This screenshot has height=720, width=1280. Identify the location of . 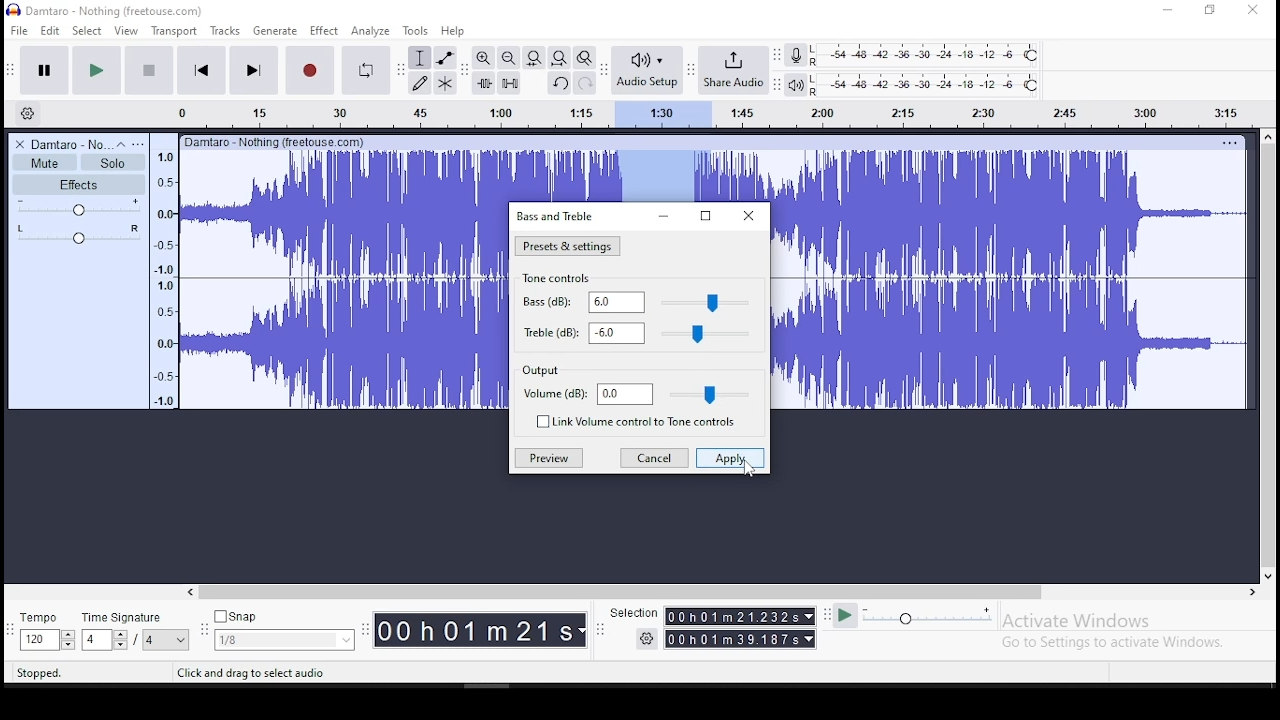
(11, 68).